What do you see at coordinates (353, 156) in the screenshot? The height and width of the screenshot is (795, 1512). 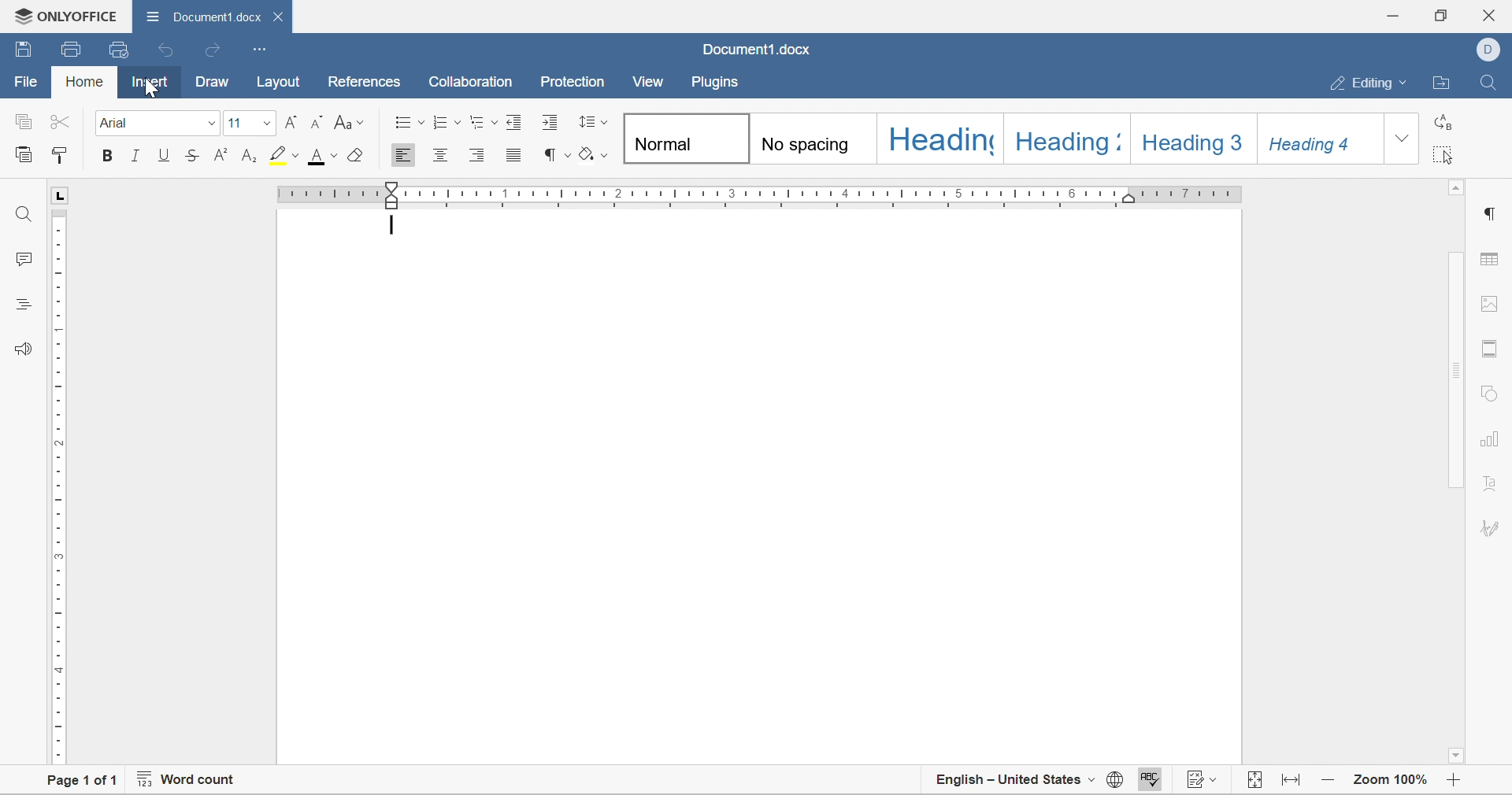 I see `Clear style` at bounding box center [353, 156].